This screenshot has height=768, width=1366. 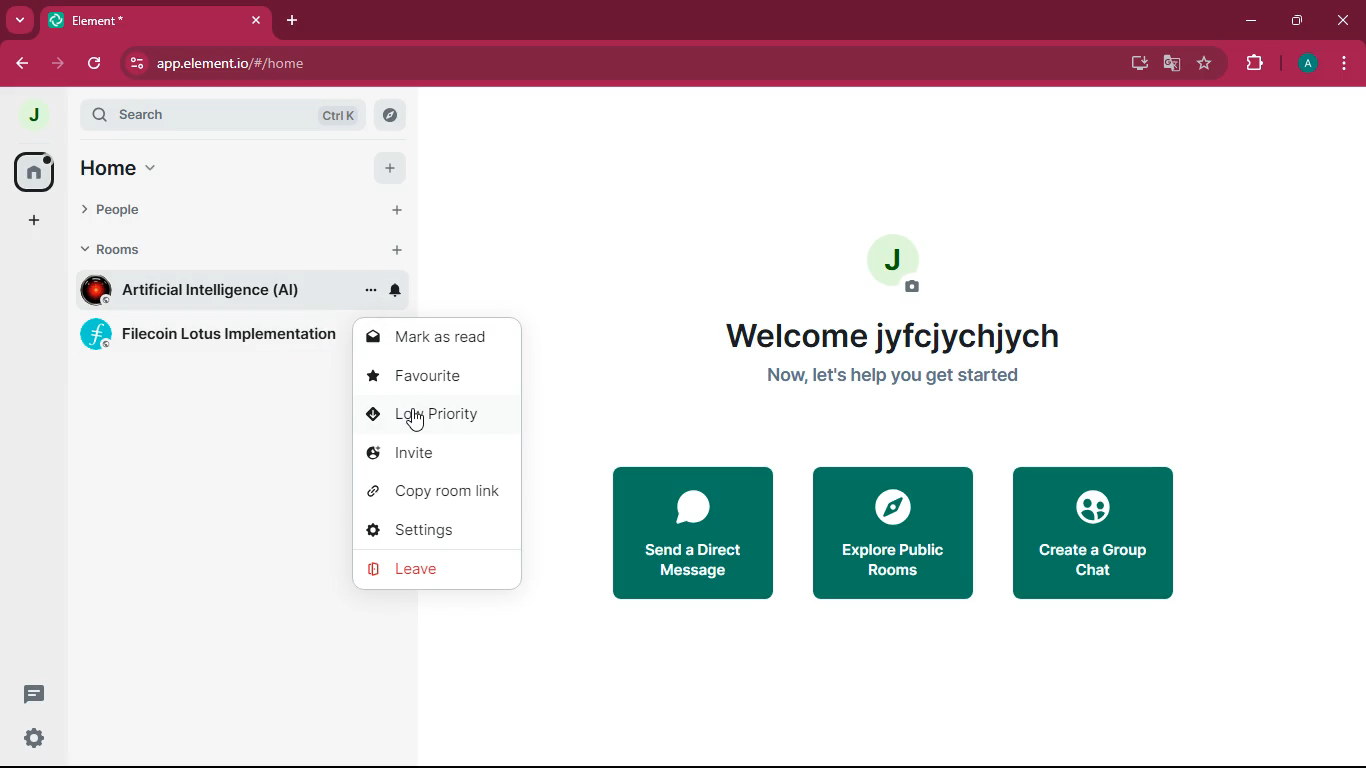 I want to click on search, so click(x=389, y=116).